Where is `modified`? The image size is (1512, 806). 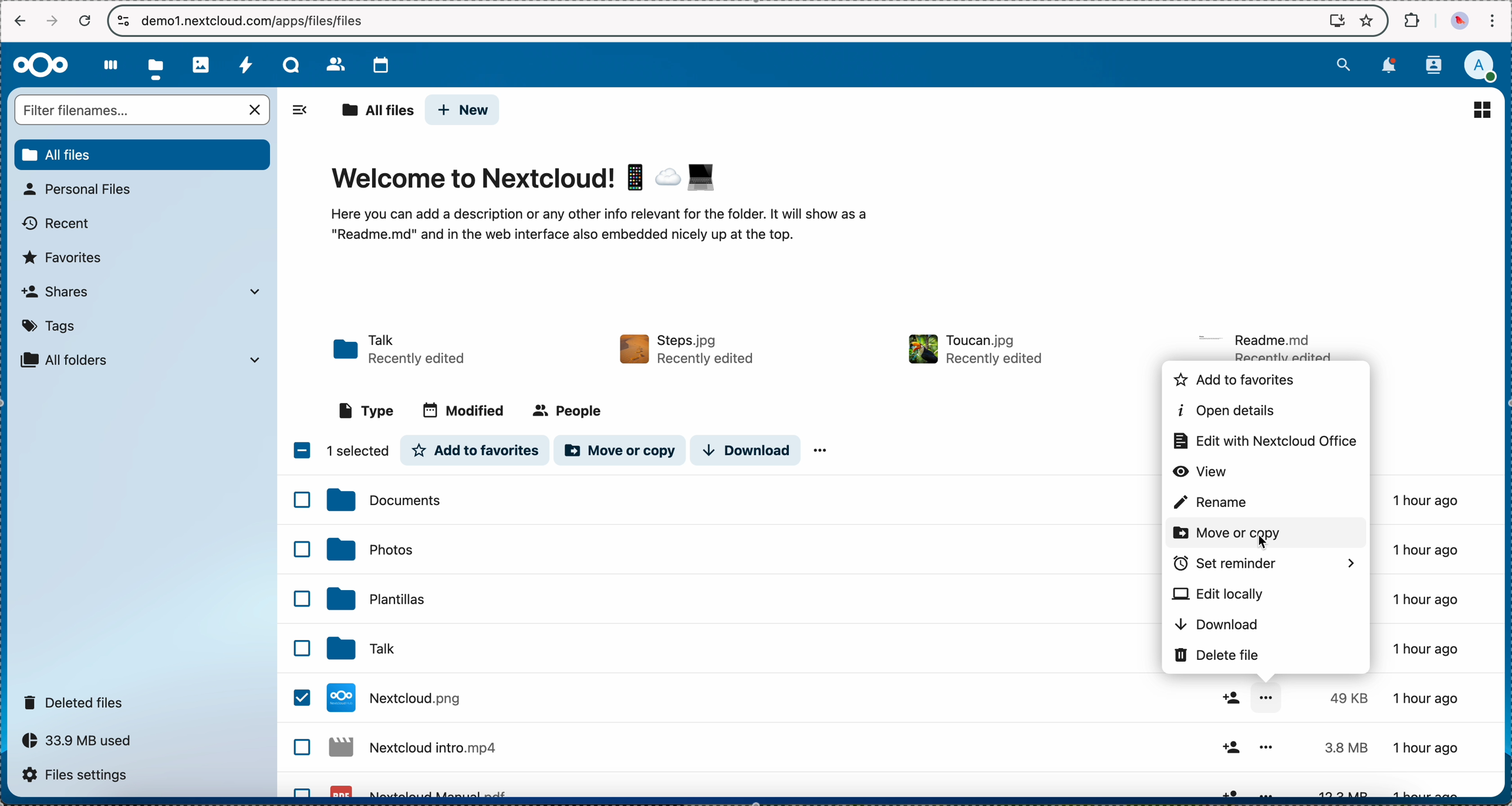 modified is located at coordinates (464, 412).